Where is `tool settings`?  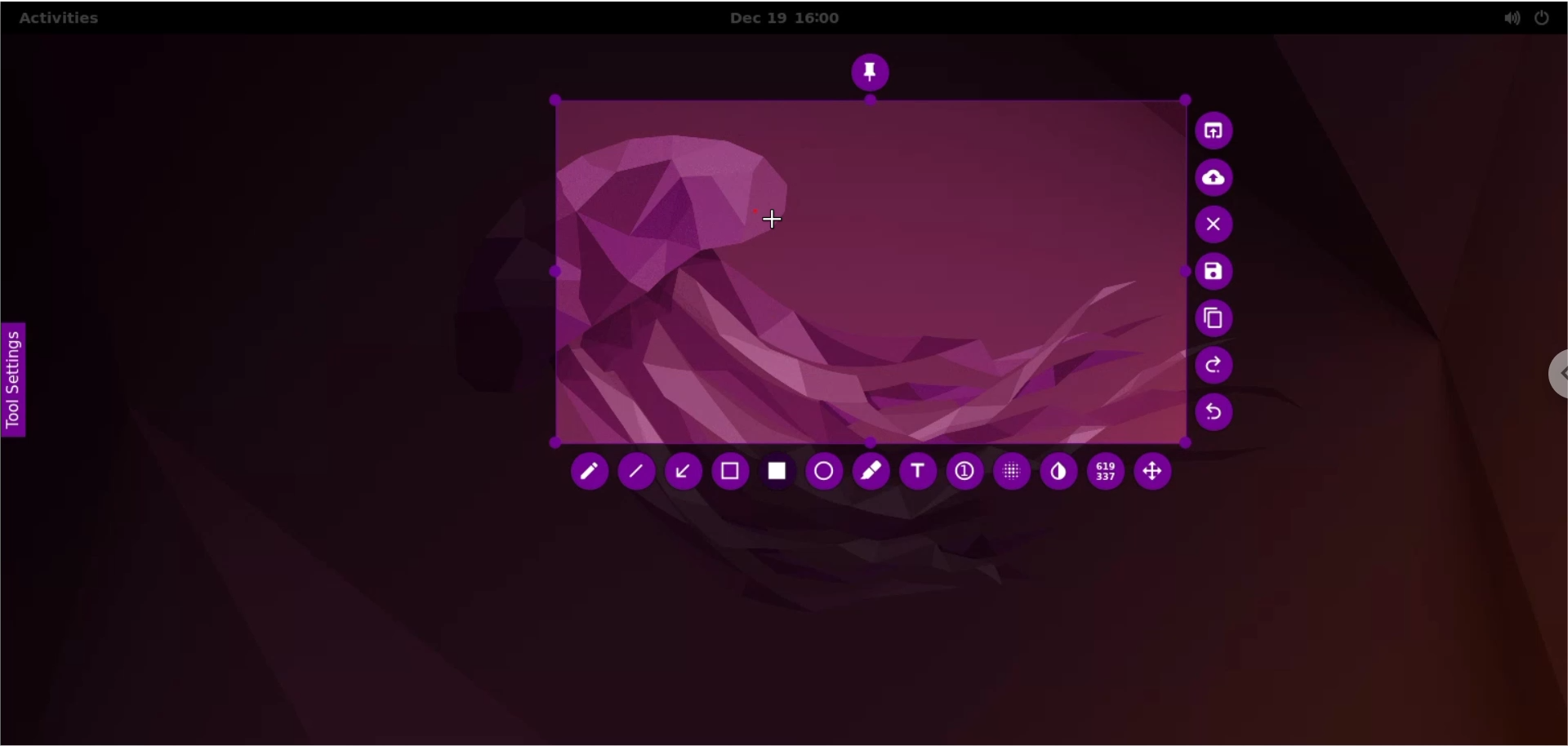
tool settings is located at coordinates (19, 380).